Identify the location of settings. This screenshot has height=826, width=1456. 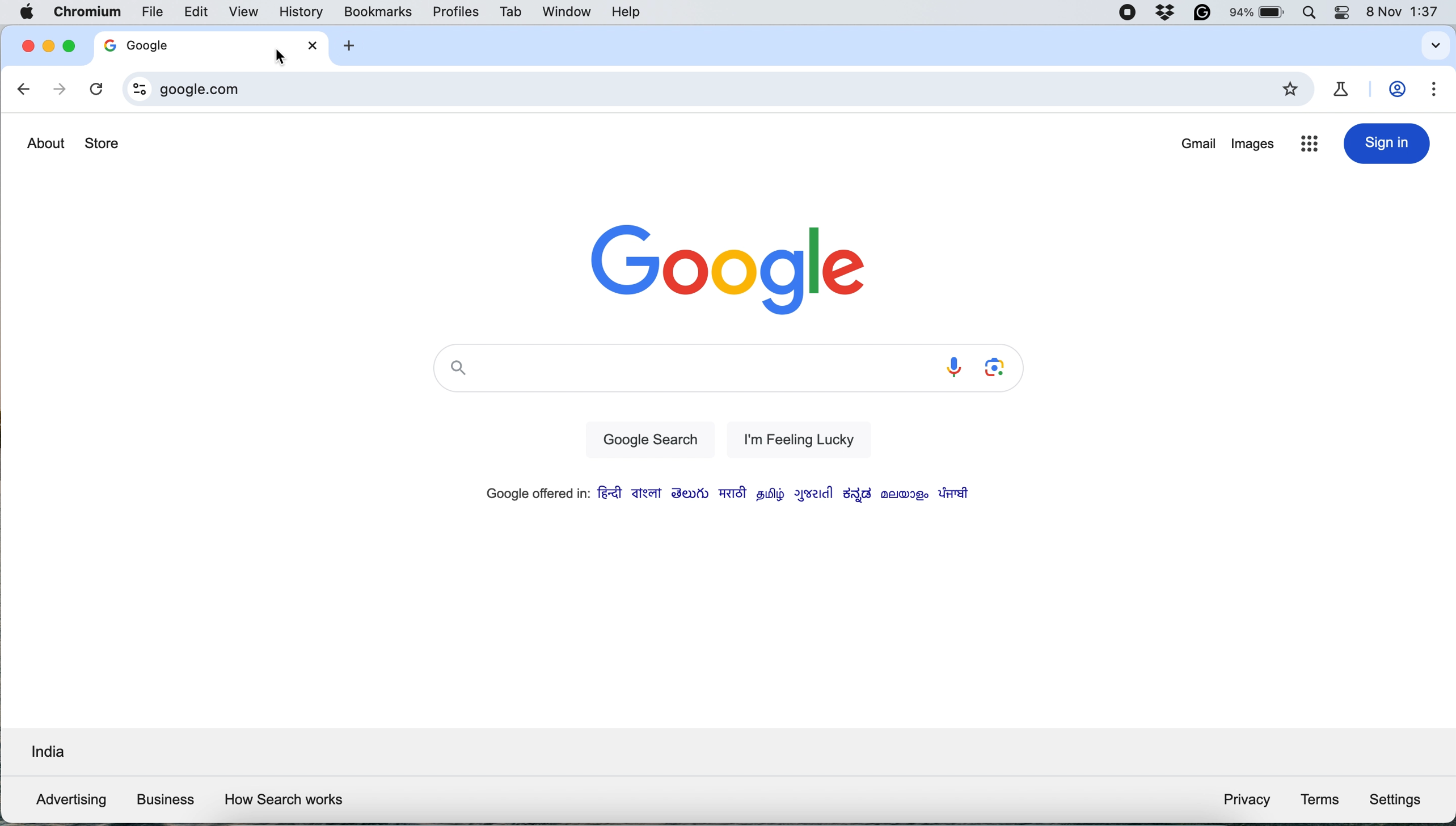
(1399, 798).